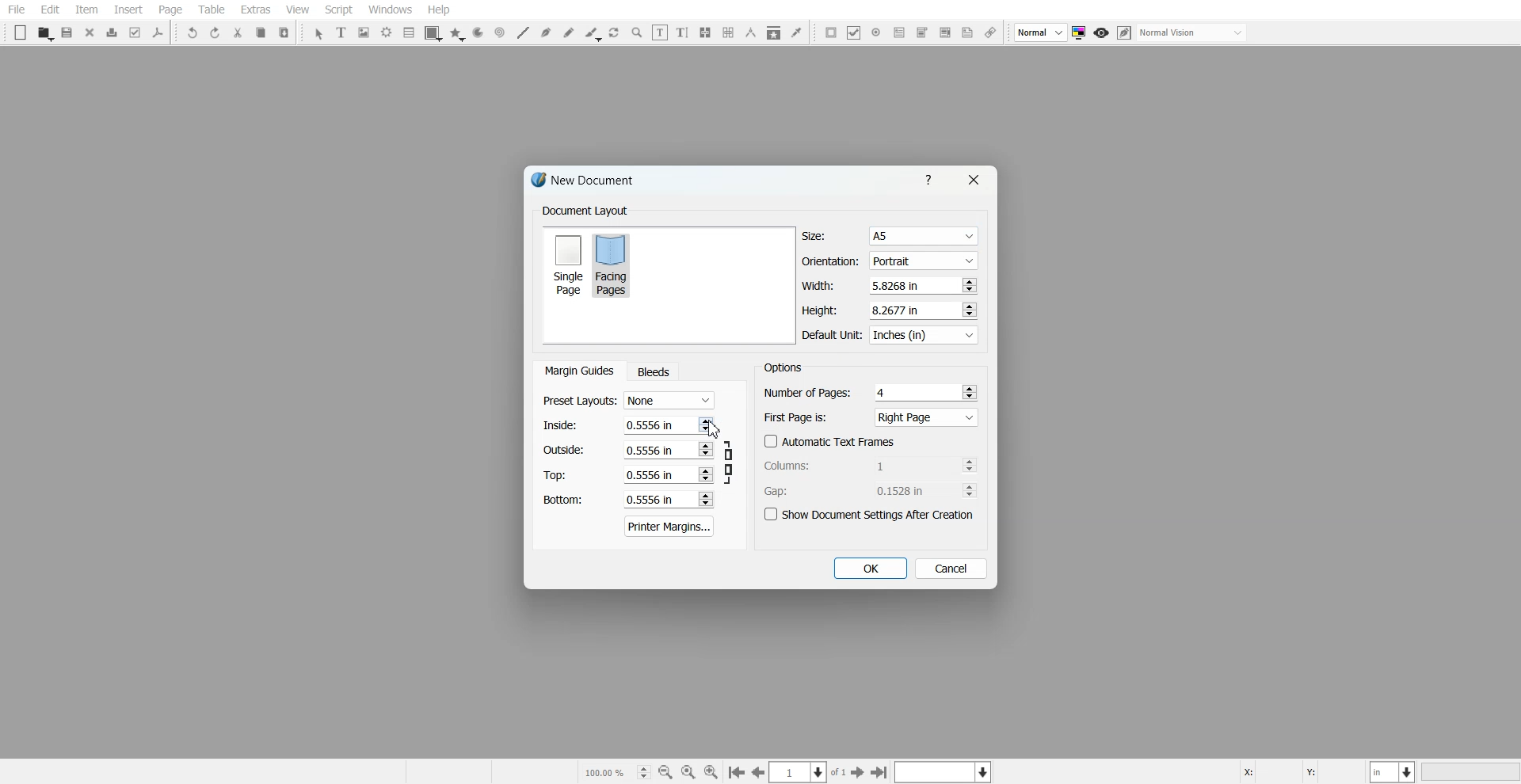  I want to click on Number of Pages, so click(871, 392).